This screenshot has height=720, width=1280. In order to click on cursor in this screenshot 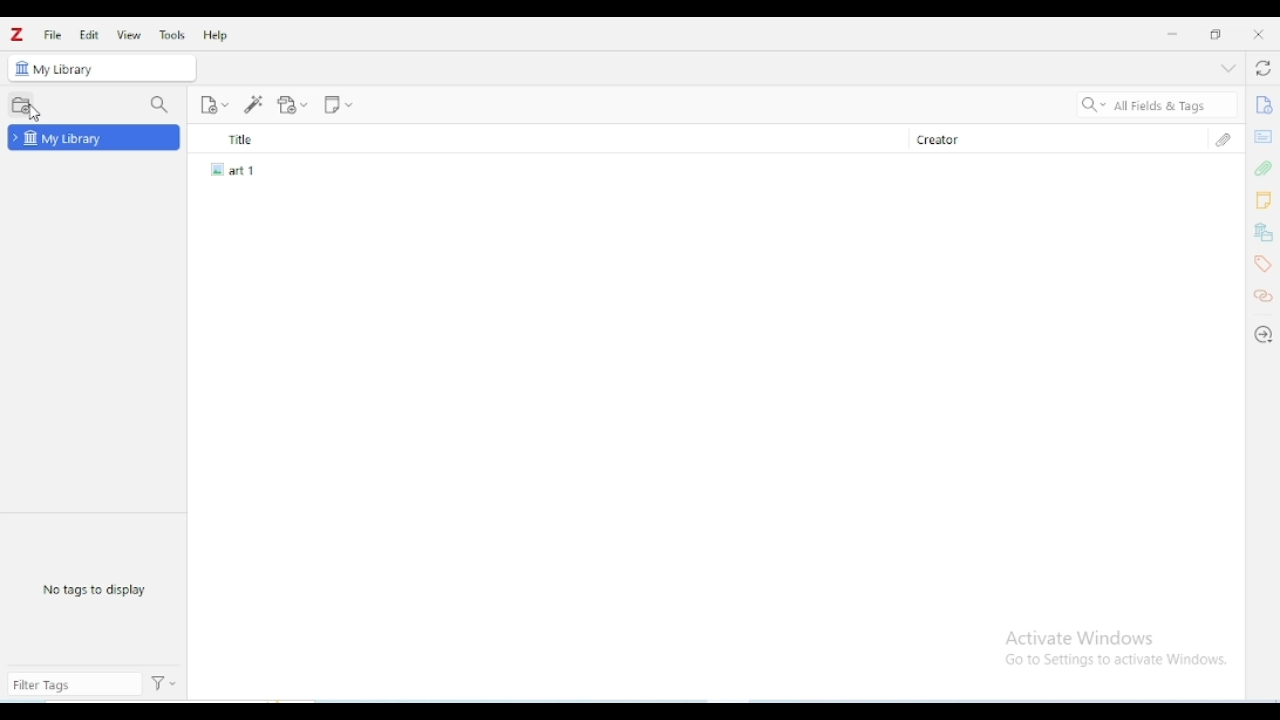, I will do `click(35, 114)`.